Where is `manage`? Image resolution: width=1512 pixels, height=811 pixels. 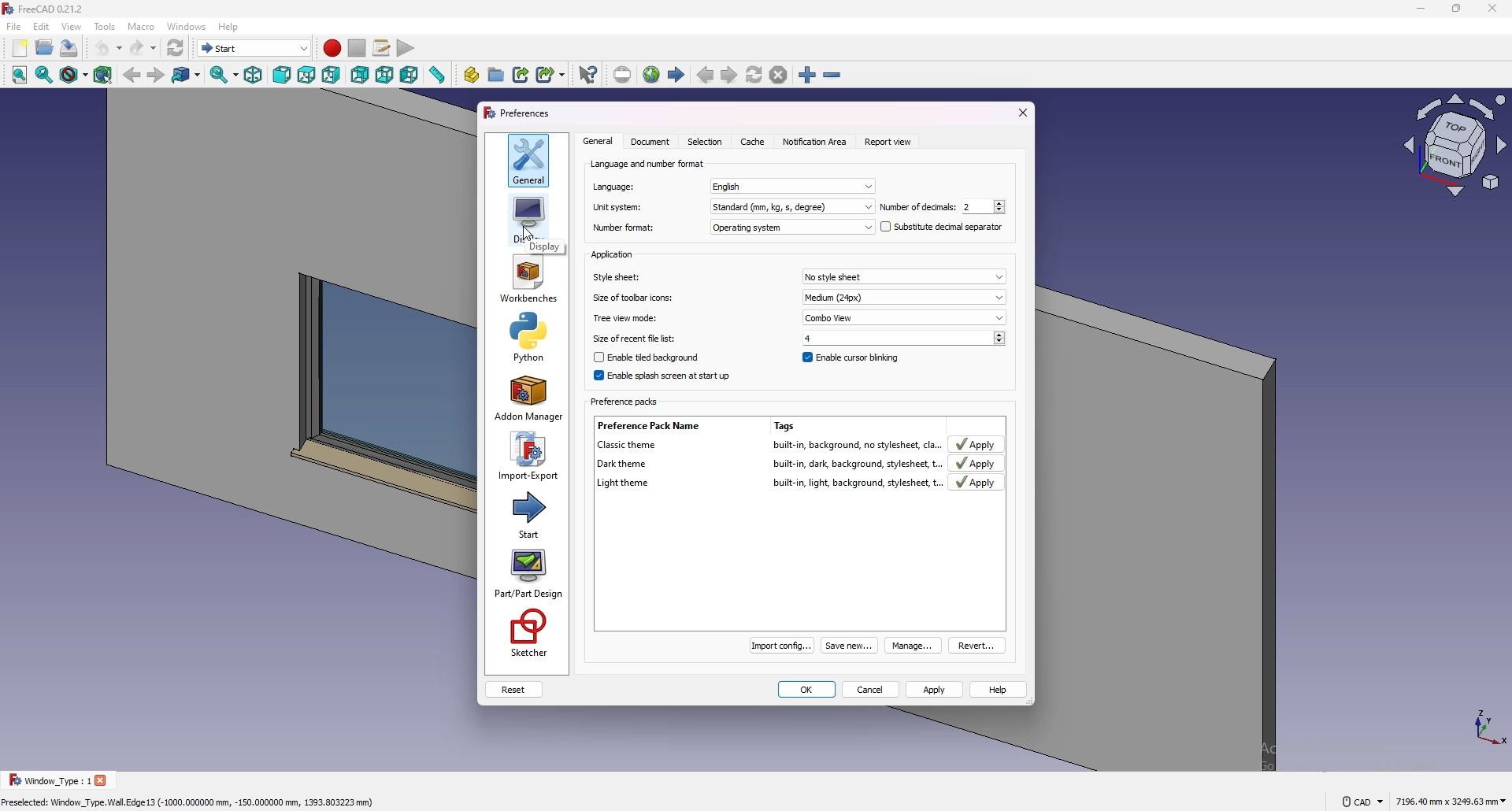
manage is located at coordinates (914, 643).